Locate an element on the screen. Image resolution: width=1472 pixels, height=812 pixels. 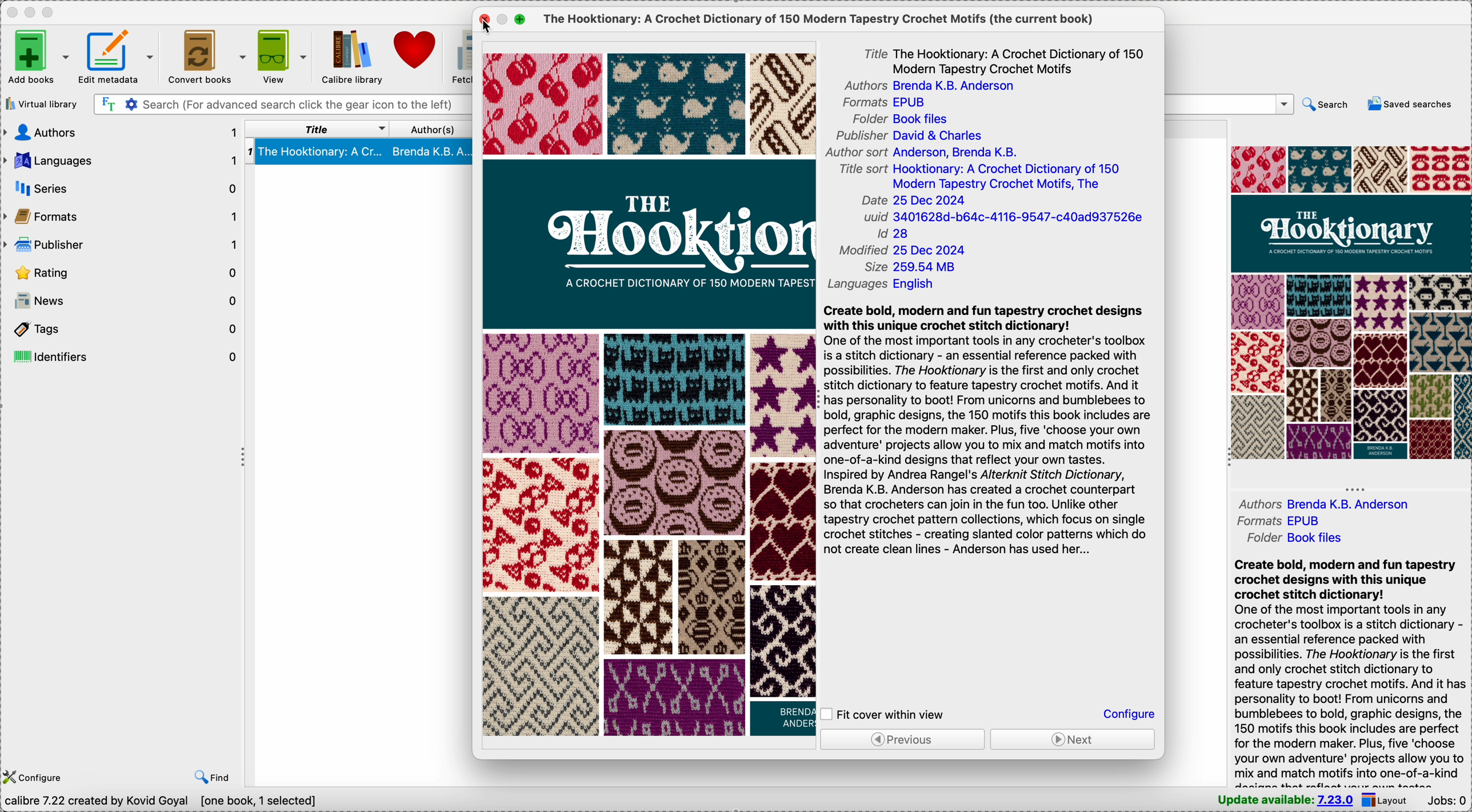
languages is located at coordinates (879, 284).